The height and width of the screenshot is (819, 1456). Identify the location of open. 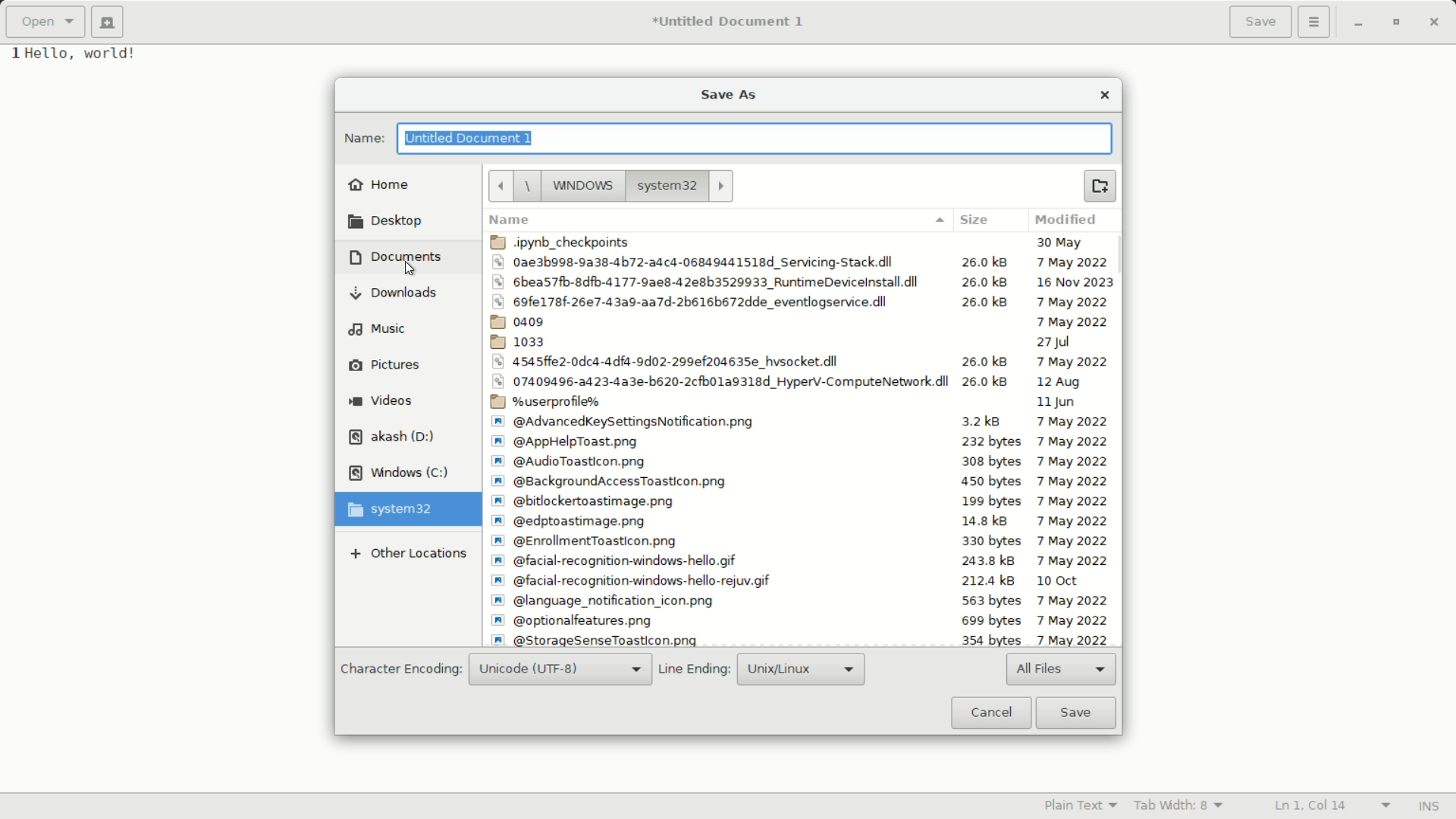
(47, 22).